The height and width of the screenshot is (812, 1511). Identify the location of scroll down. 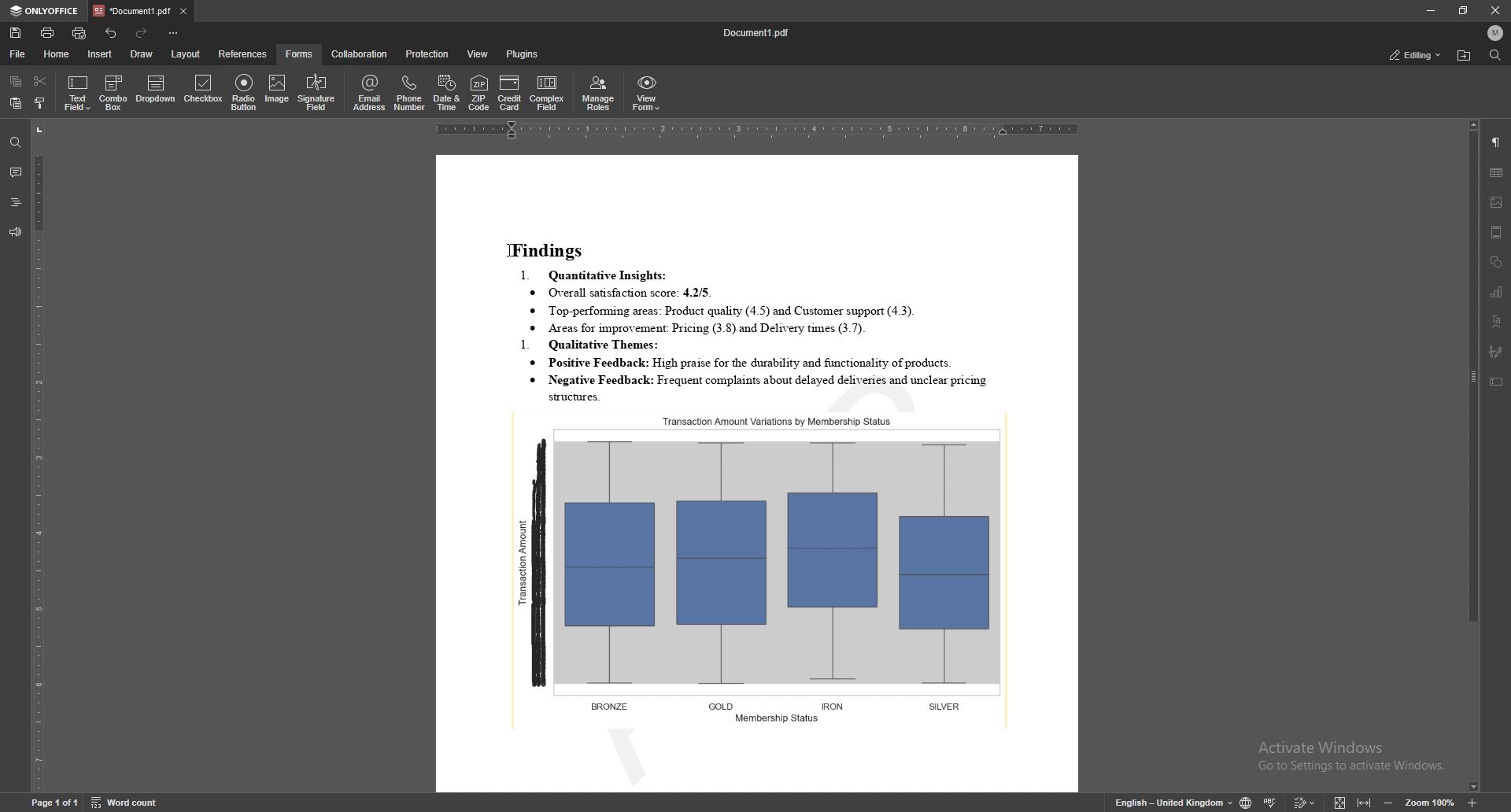
(1472, 788).